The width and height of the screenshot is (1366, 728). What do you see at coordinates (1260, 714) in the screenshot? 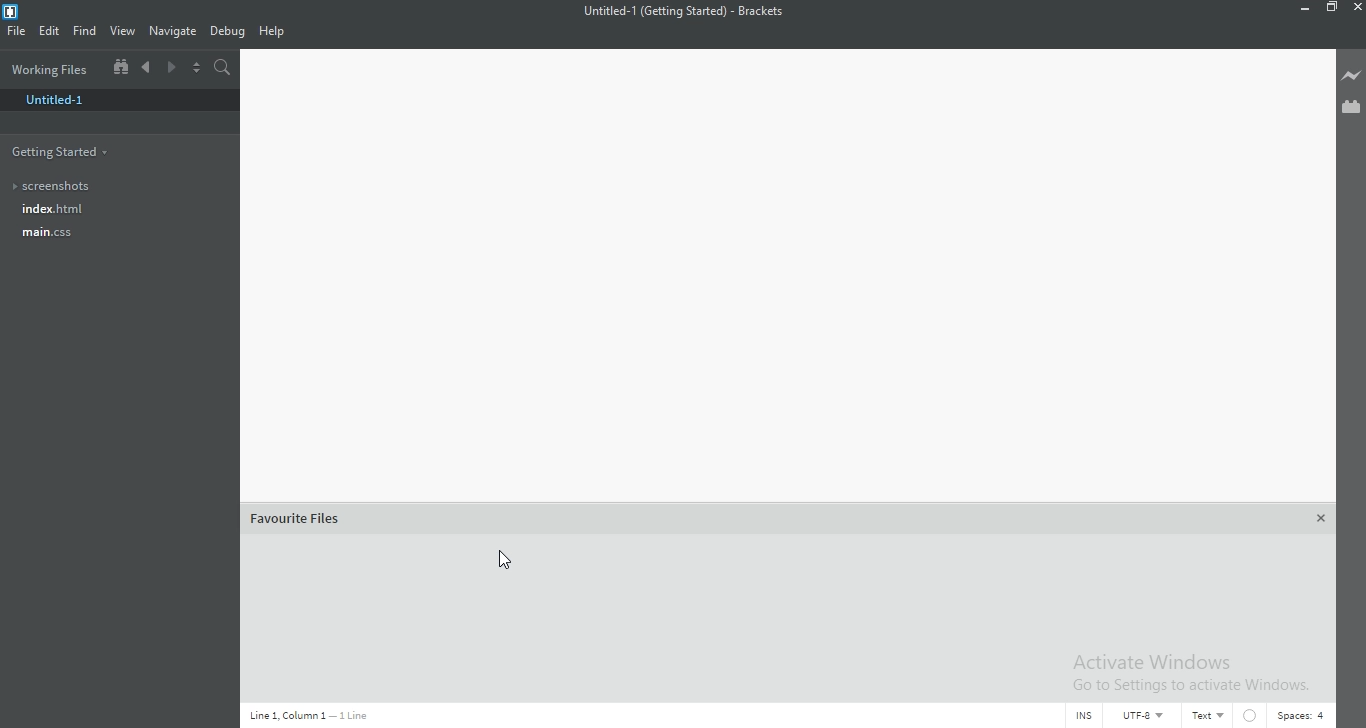
I see `Circle` at bounding box center [1260, 714].